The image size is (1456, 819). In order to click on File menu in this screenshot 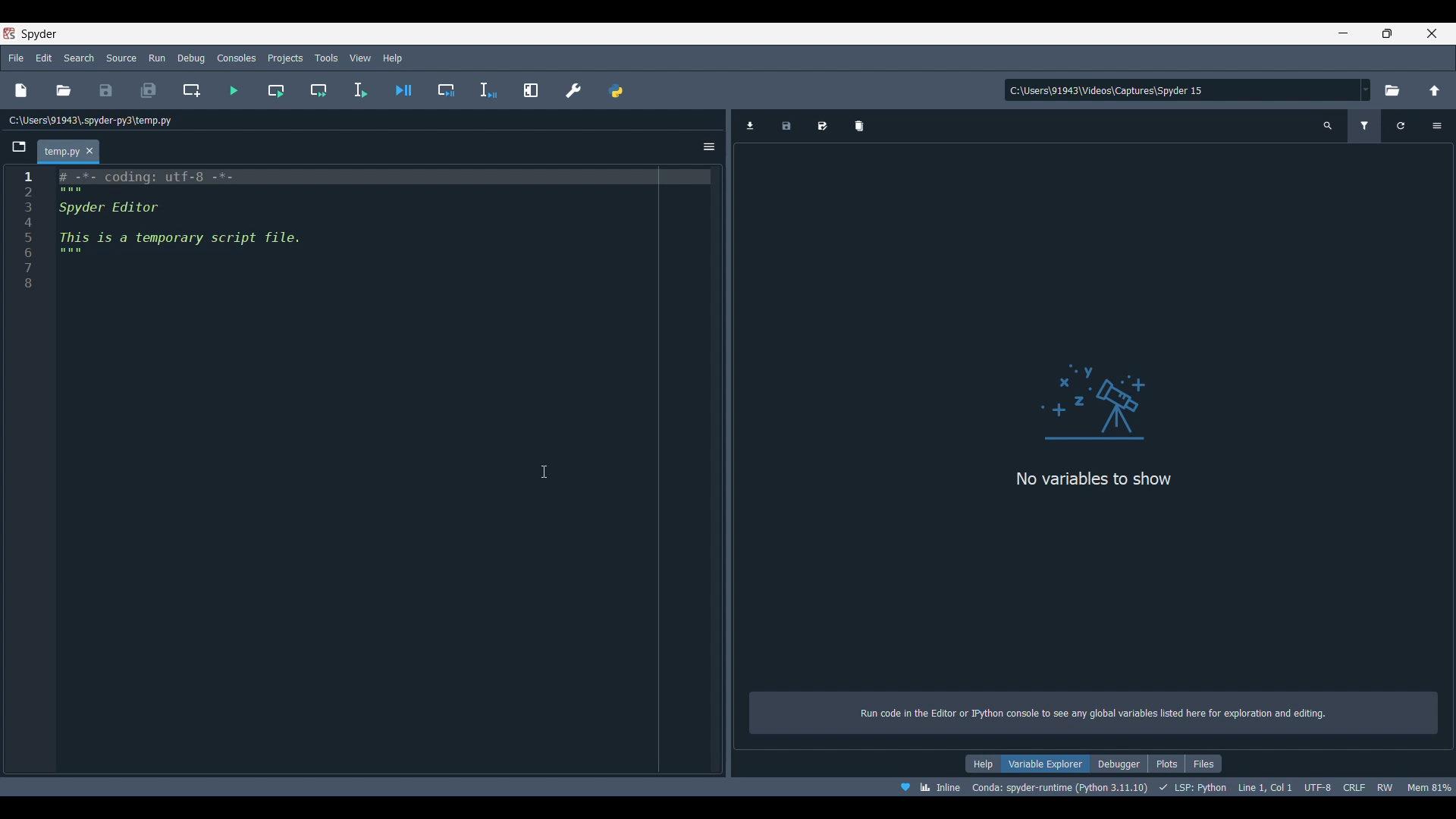, I will do `click(17, 58)`.